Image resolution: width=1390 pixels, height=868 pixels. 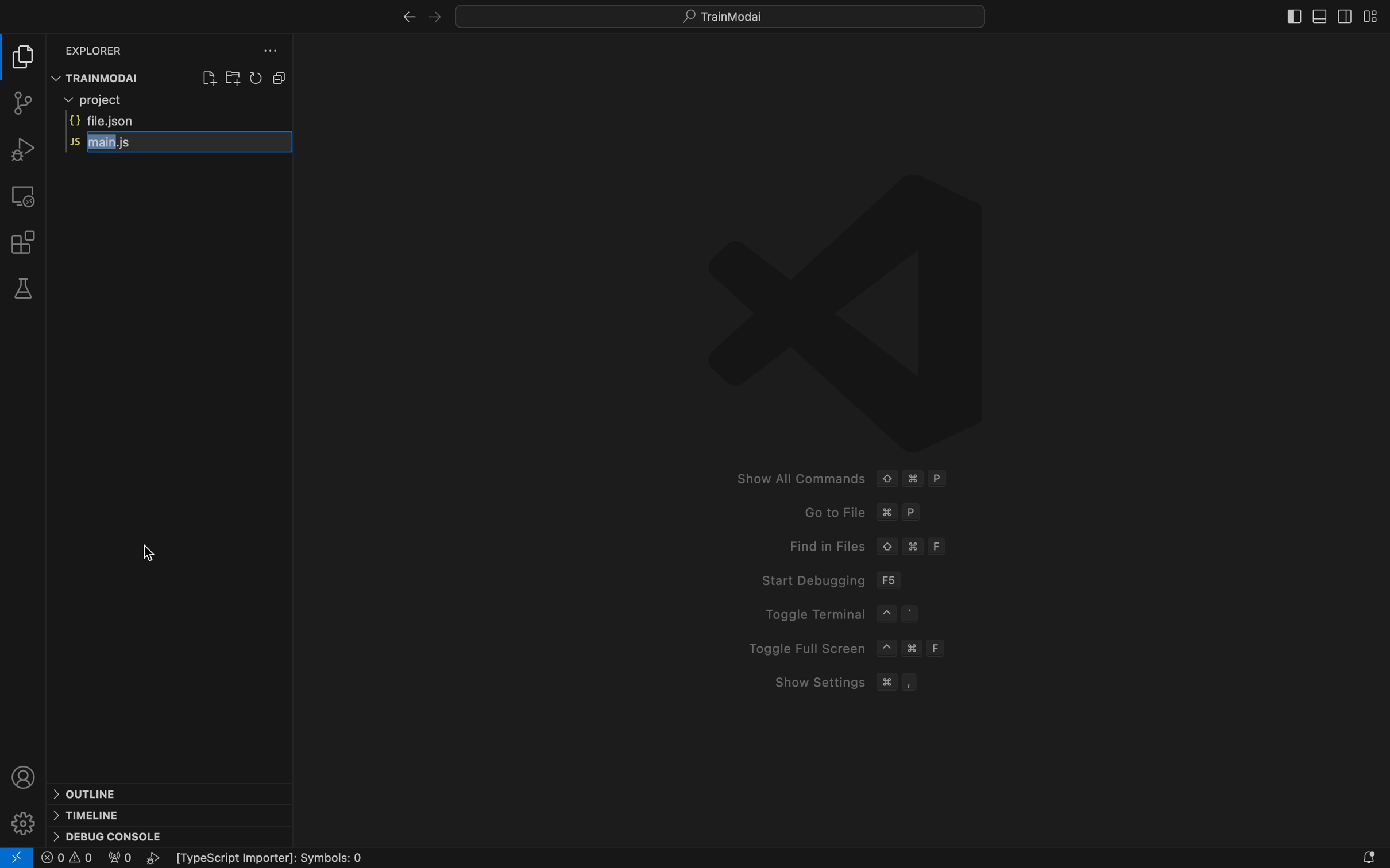 I want to click on create file, so click(x=208, y=79).